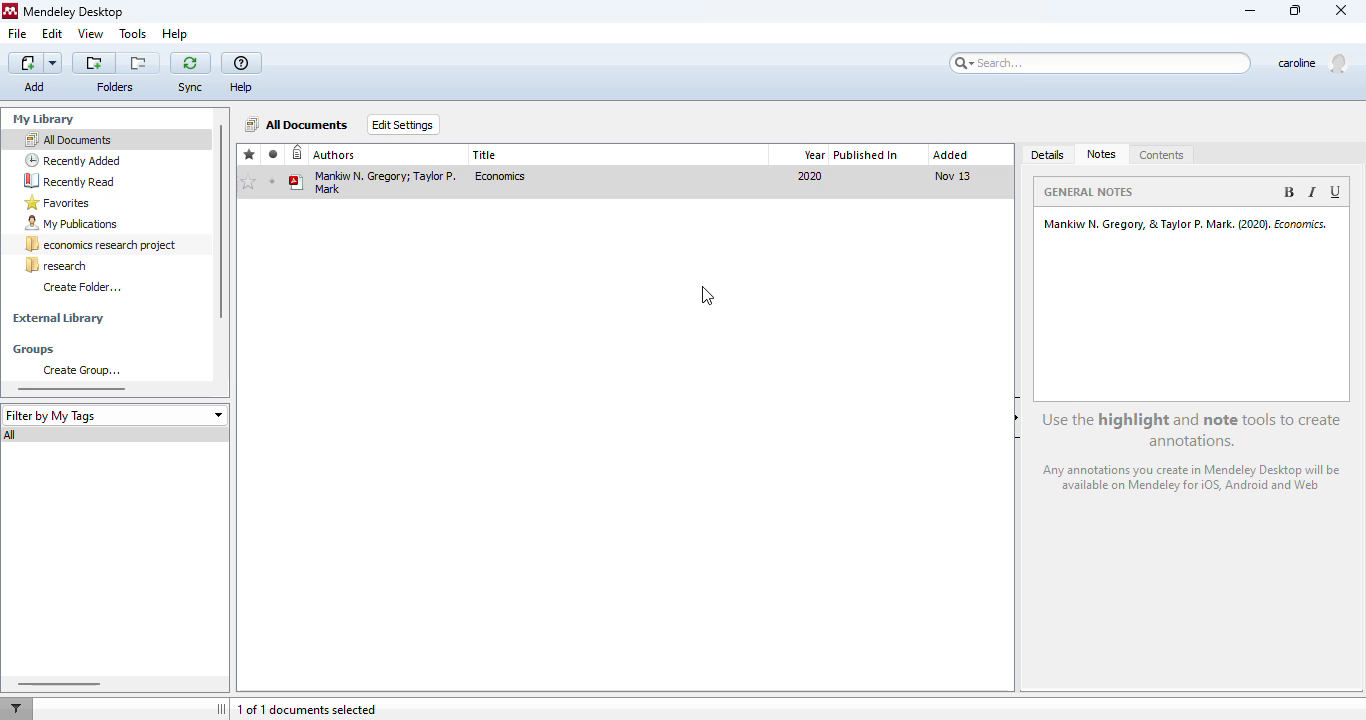  What do you see at coordinates (1288, 192) in the screenshot?
I see `bold` at bounding box center [1288, 192].